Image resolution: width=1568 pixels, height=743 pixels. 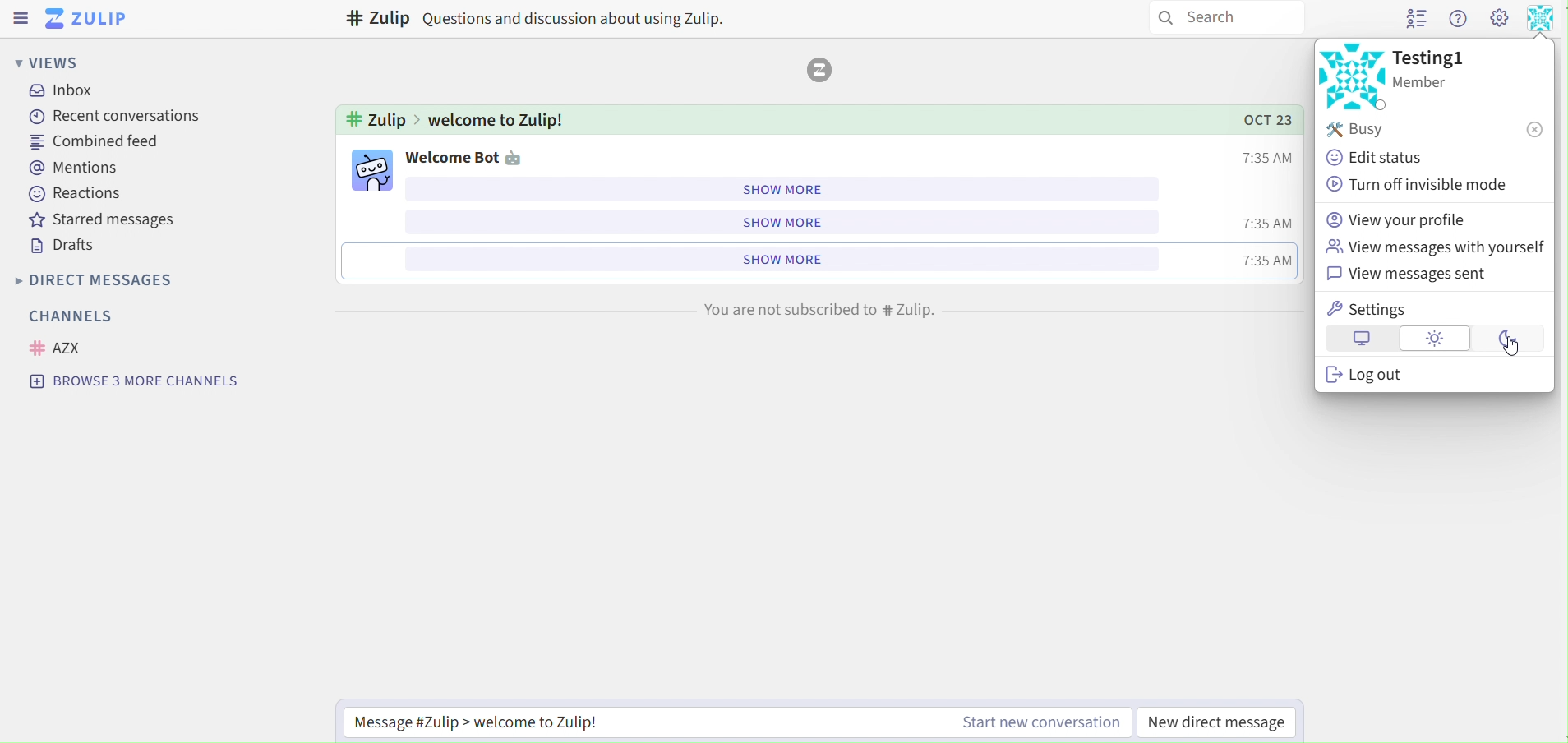 What do you see at coordinates (69, 316) in the screenshot?
I see `channels` at bounding box center [69, 316].